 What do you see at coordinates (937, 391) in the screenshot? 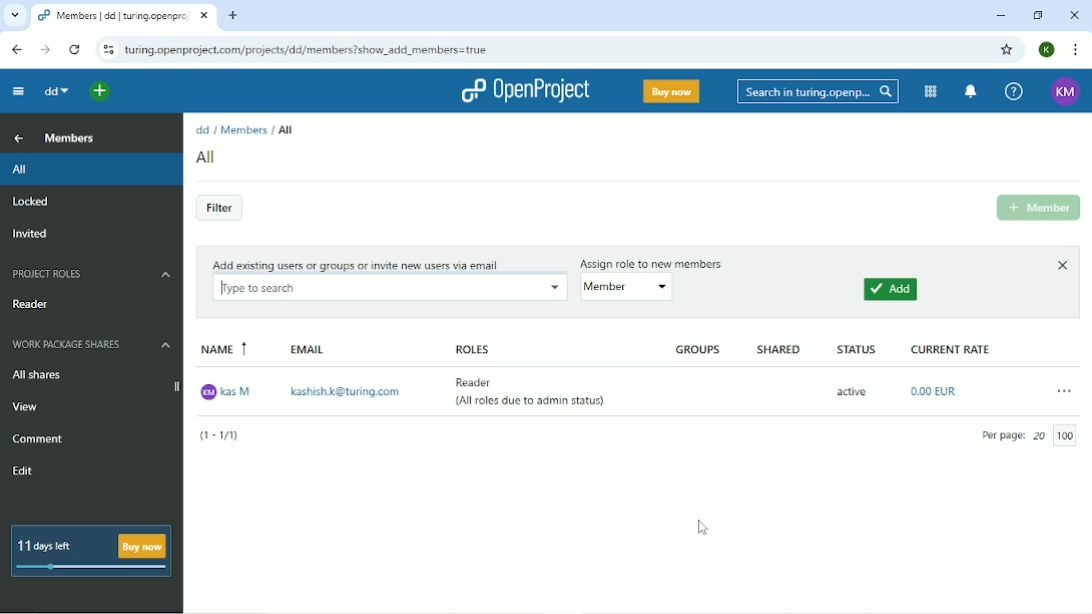
I see `0.00EUR` at bounding box center [937, 391].